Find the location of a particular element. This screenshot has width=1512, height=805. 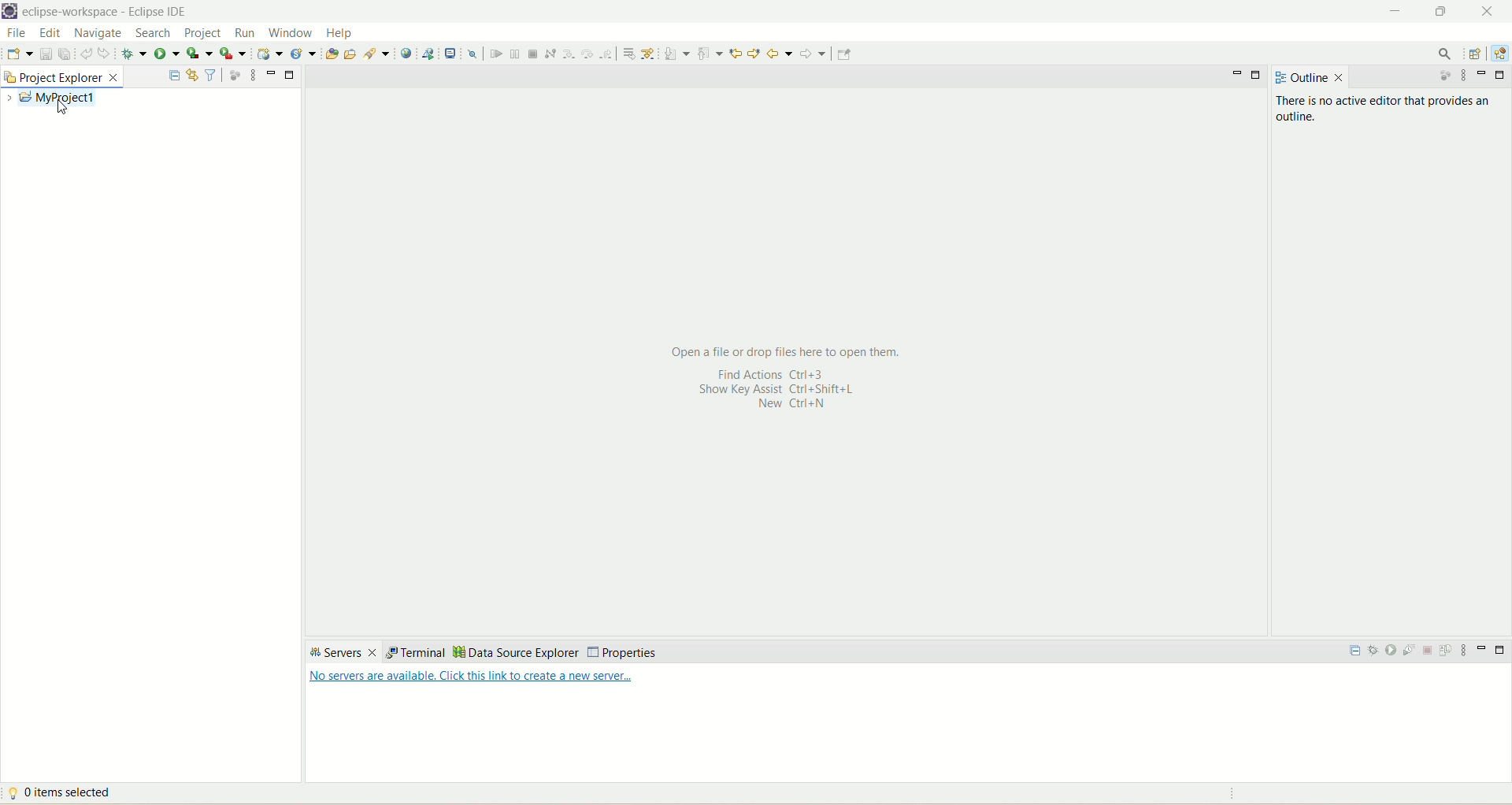

navigate is located at coordinates (98, 34).